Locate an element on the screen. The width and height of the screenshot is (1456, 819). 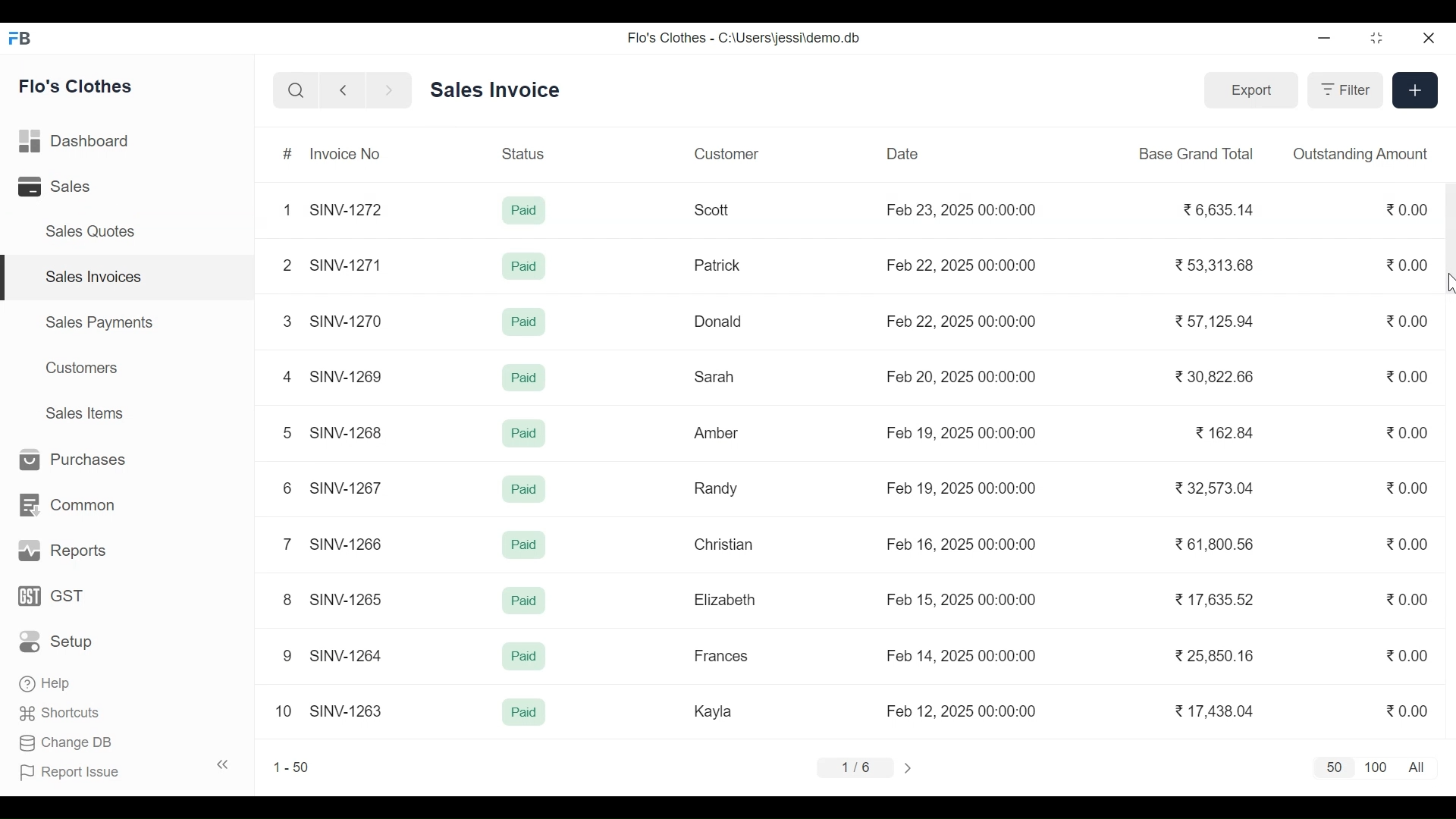
SINV-1266 is located at coordinates (350, 544).